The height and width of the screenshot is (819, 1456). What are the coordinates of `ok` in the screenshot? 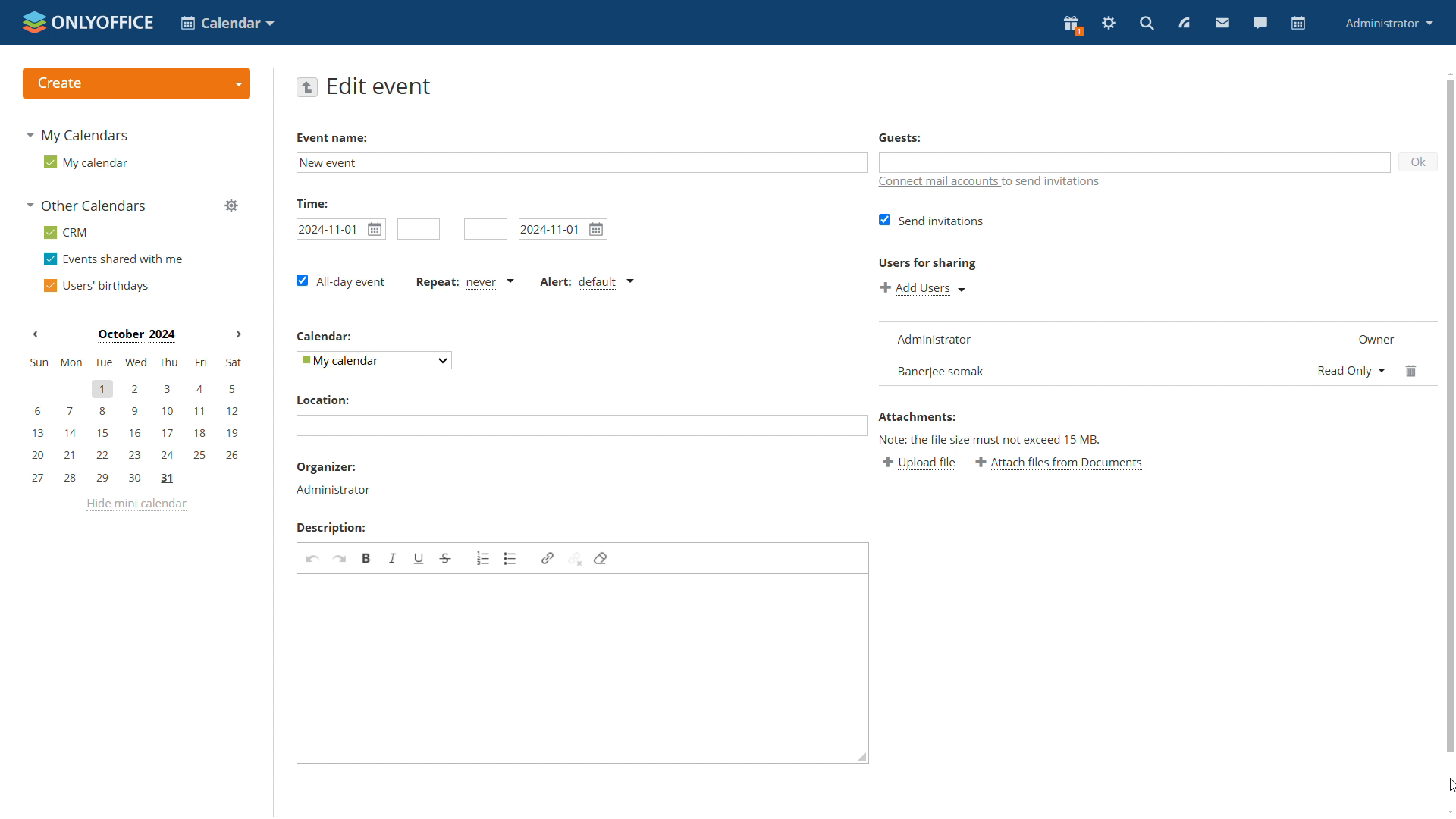 It's located at (1419, 164).